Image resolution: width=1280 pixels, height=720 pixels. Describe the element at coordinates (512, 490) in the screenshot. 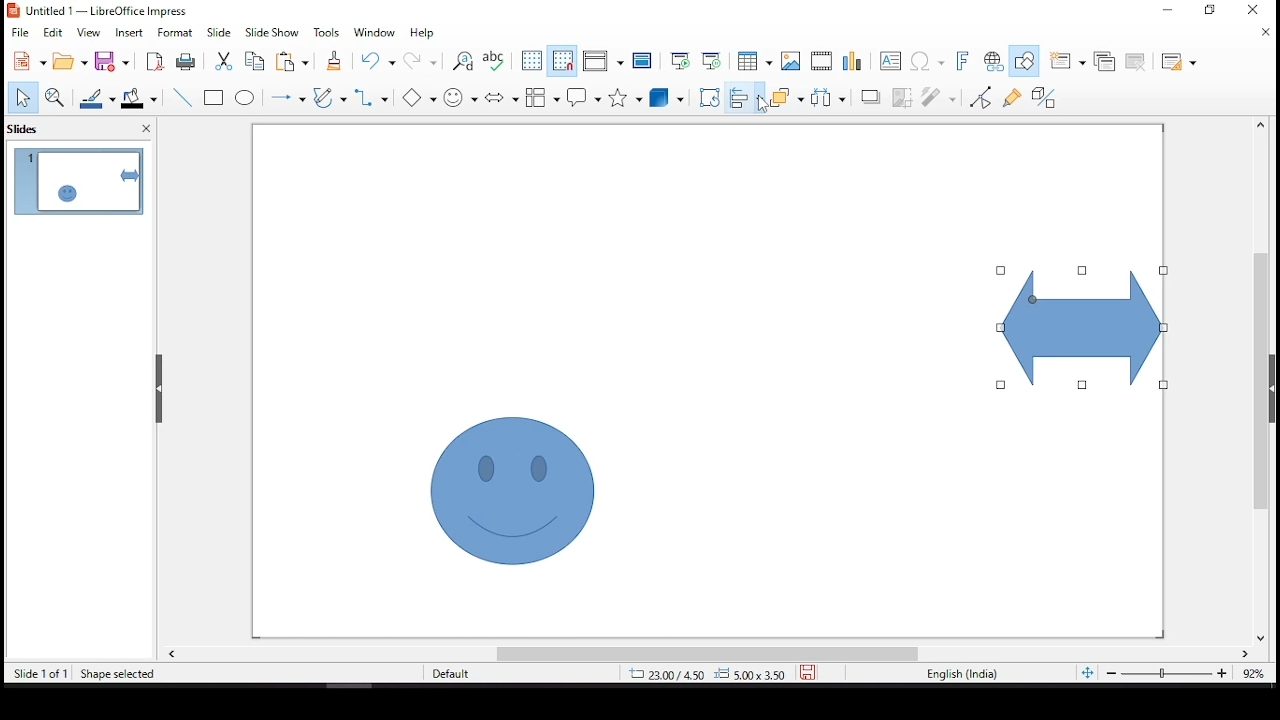

I see `shape` at that location.